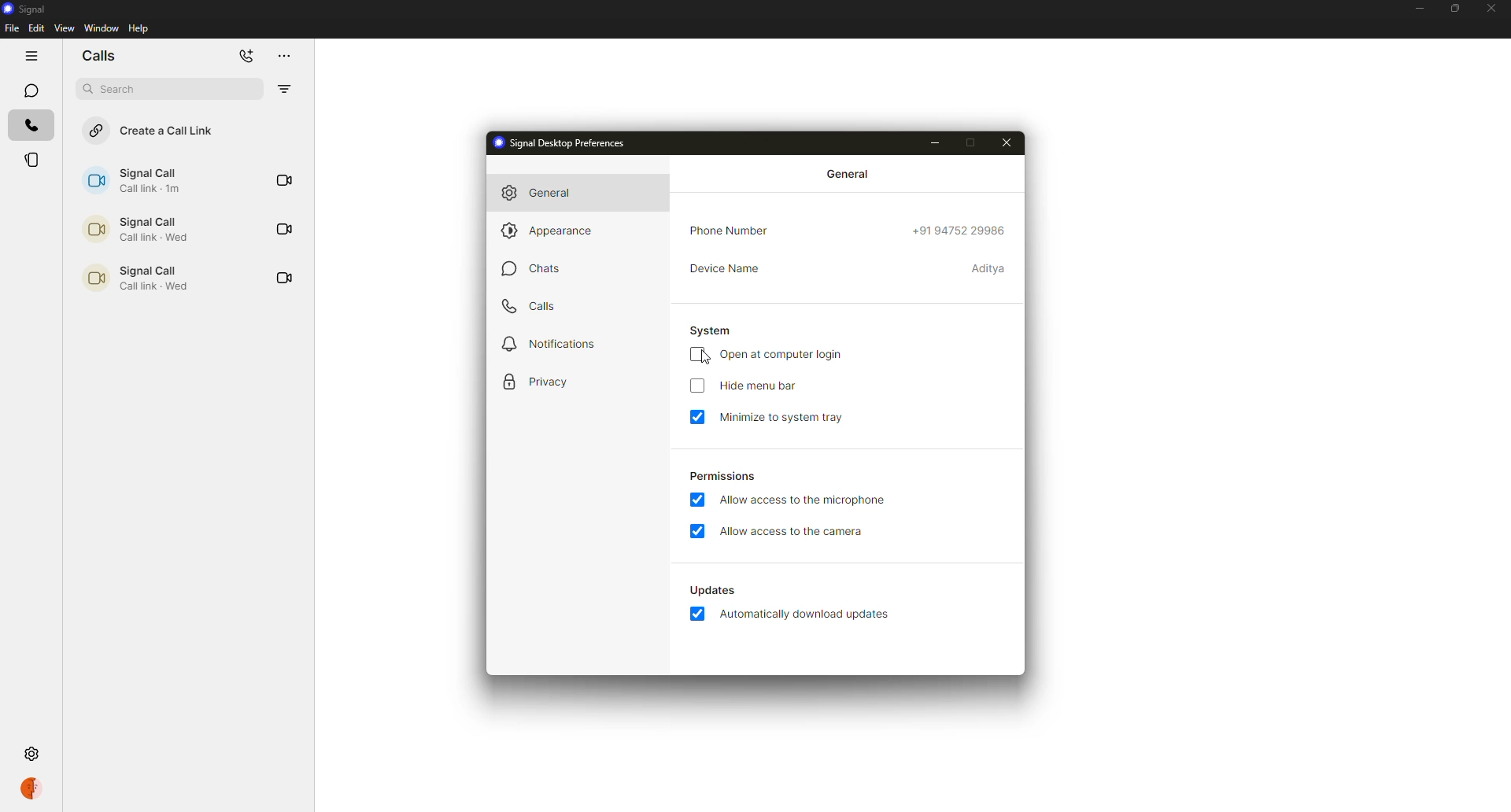 The image size is (1511, 812). I want to click on disabled, so click(699, 354).